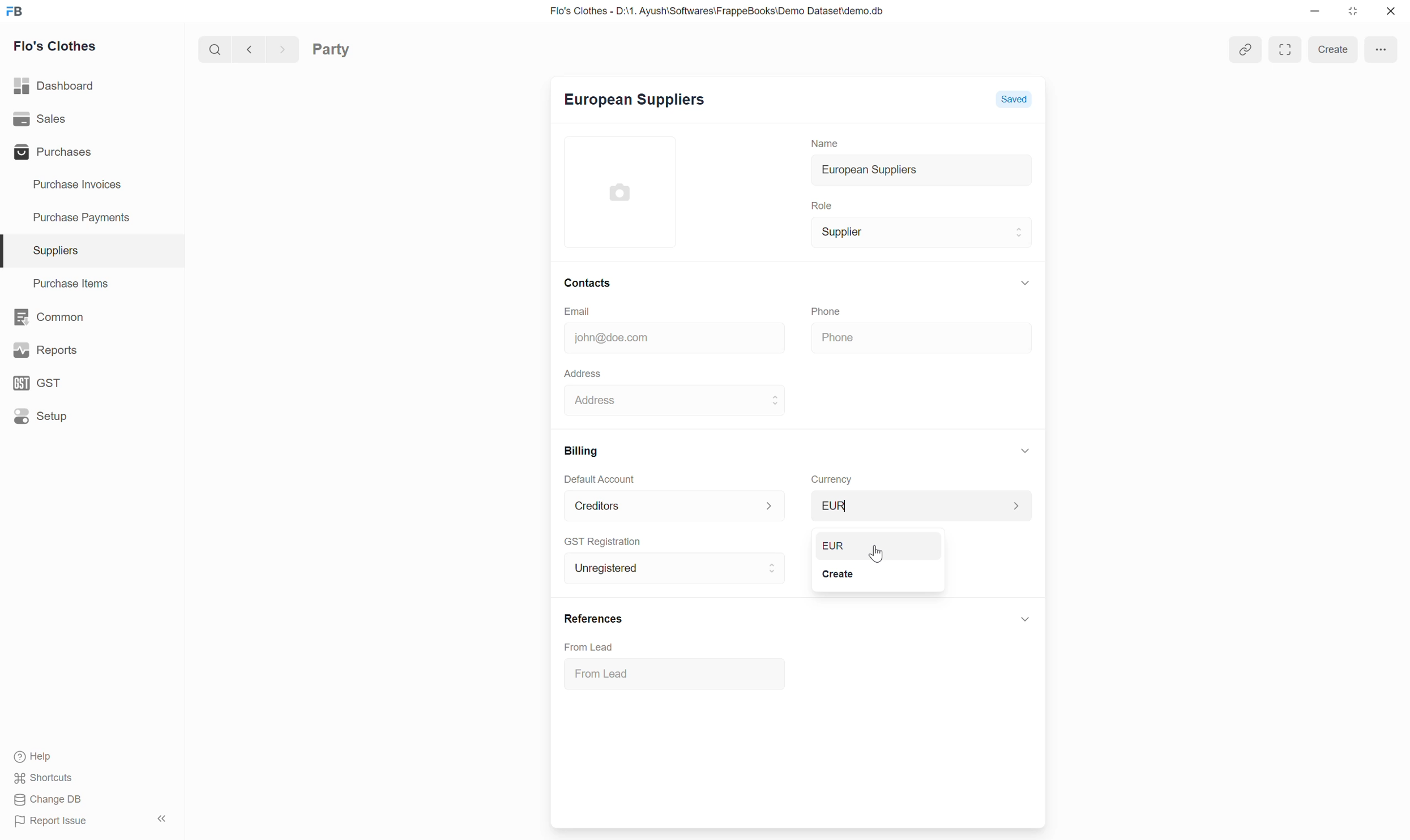 This screenshot has height=840, width=1410. Describe the element at coordinates (863, 337) in the screenshot. I see `Phone` at that location.